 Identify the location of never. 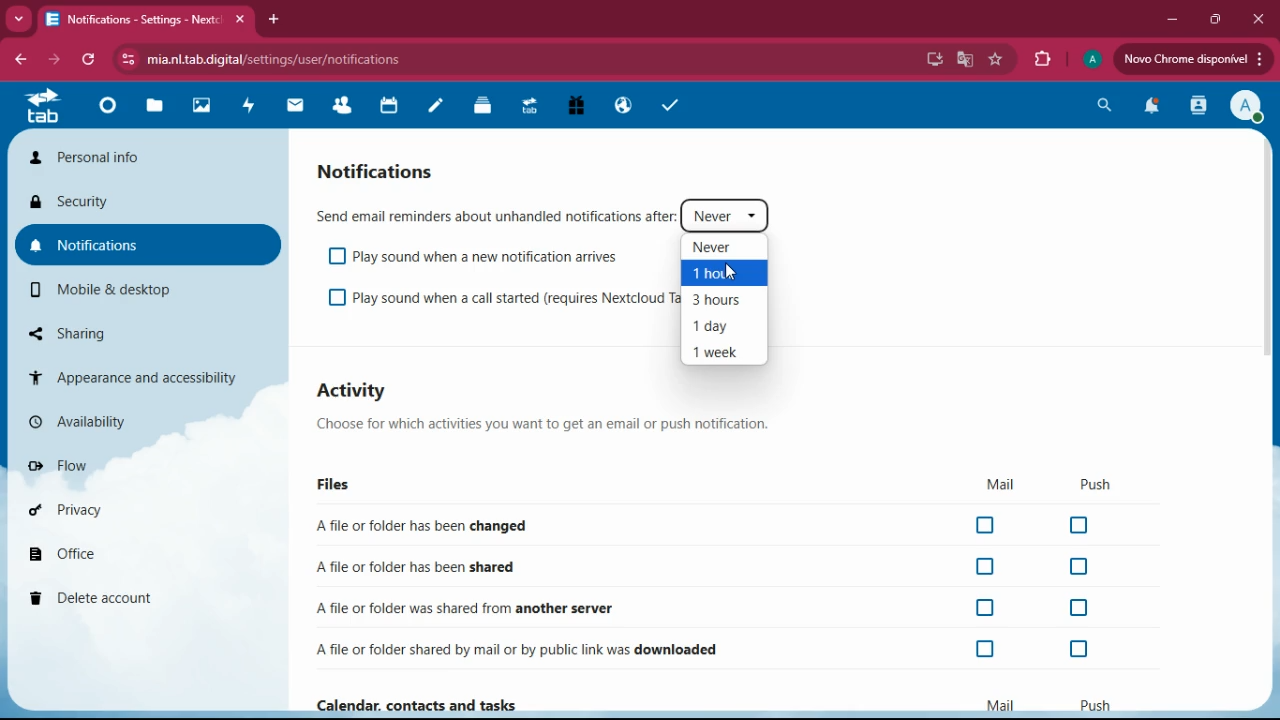
(721, 246).